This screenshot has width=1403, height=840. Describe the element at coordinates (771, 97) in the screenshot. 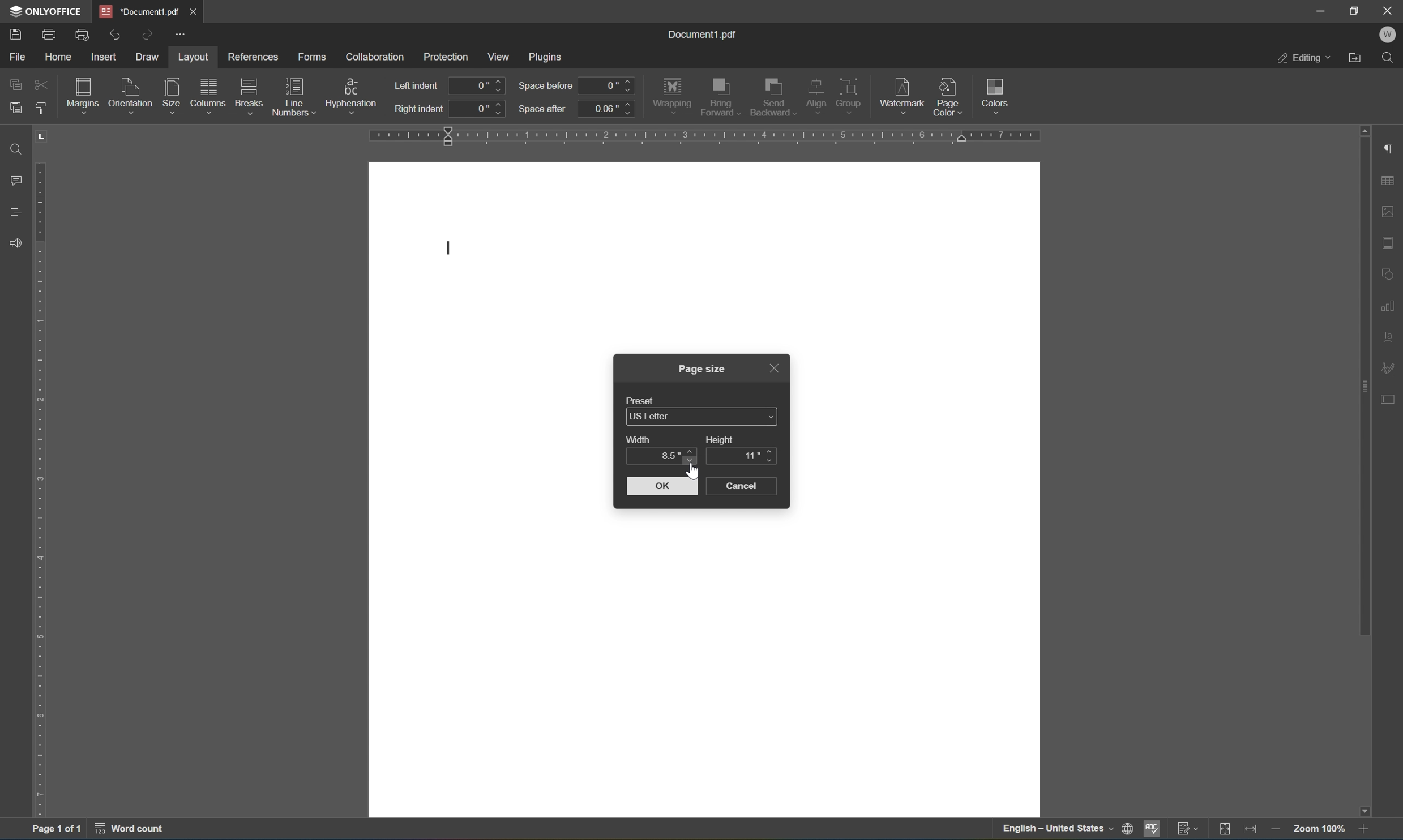

I see `send backward` at that location.